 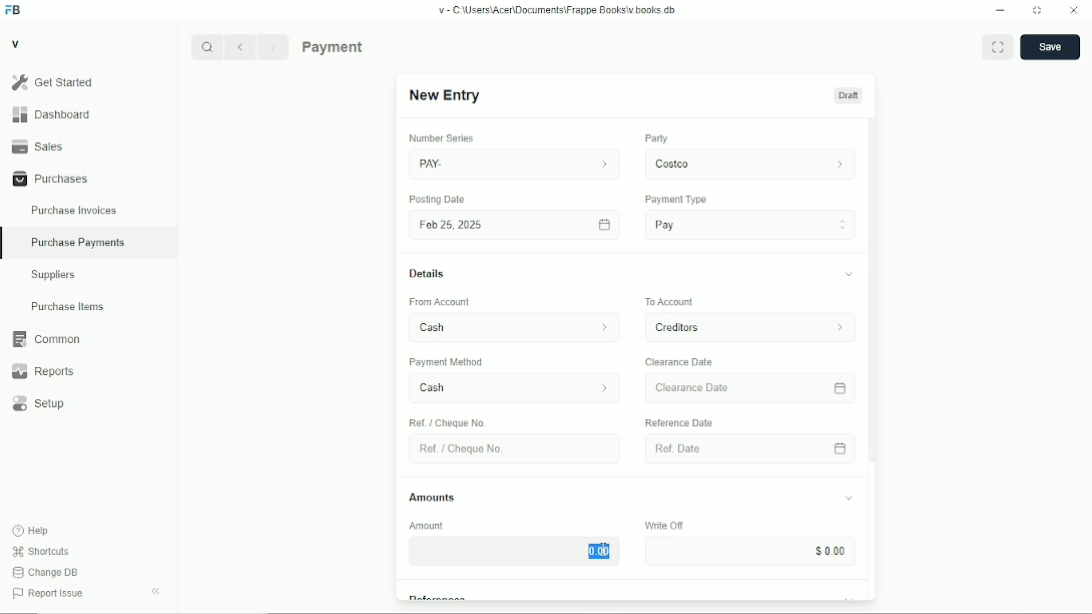 I want to click on PAY., so click(x=515, y=161).